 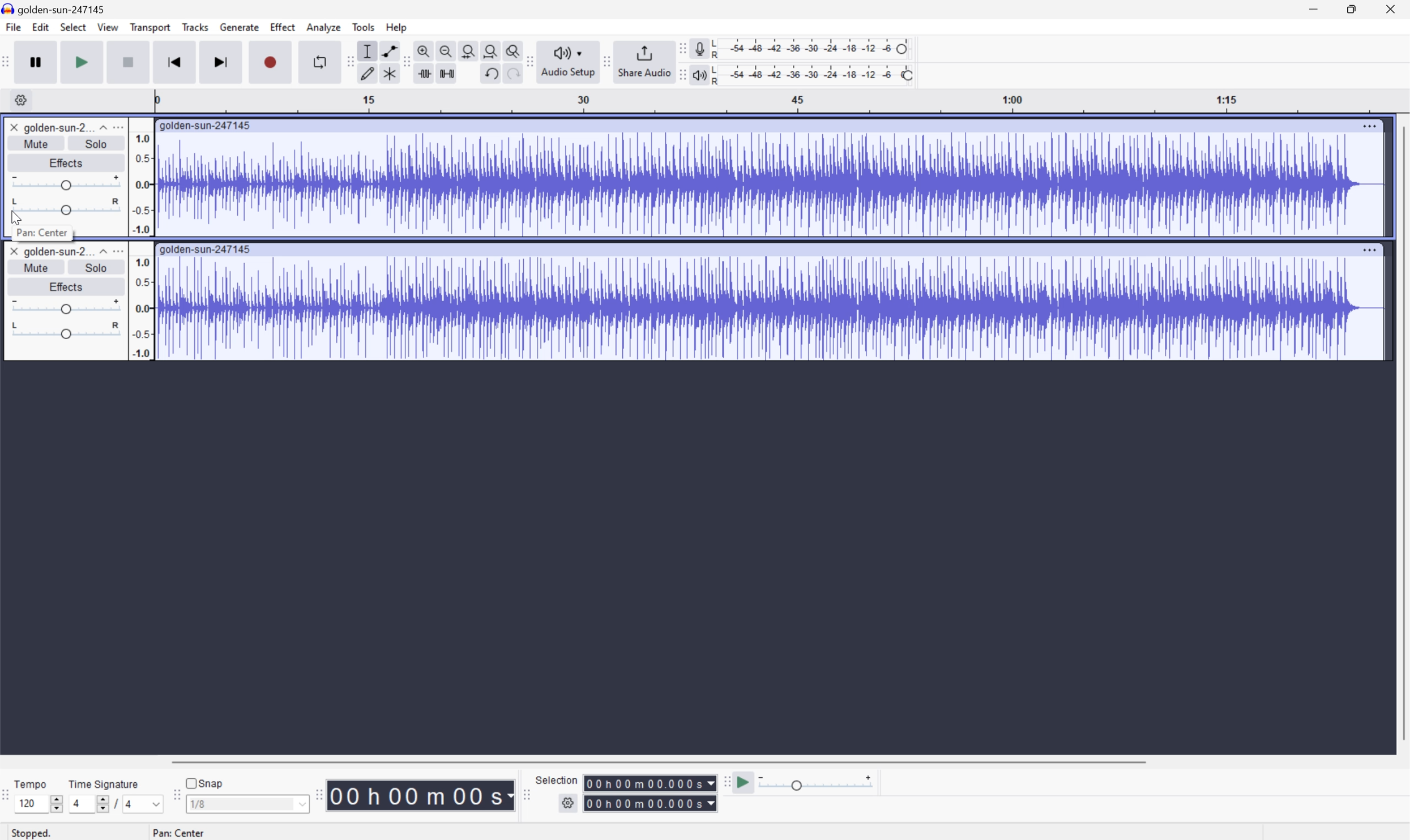 What do you see at coordinates (55, 253) in the screenshot?
I see `golden-sun-2...` at bounding box center [55, 253].